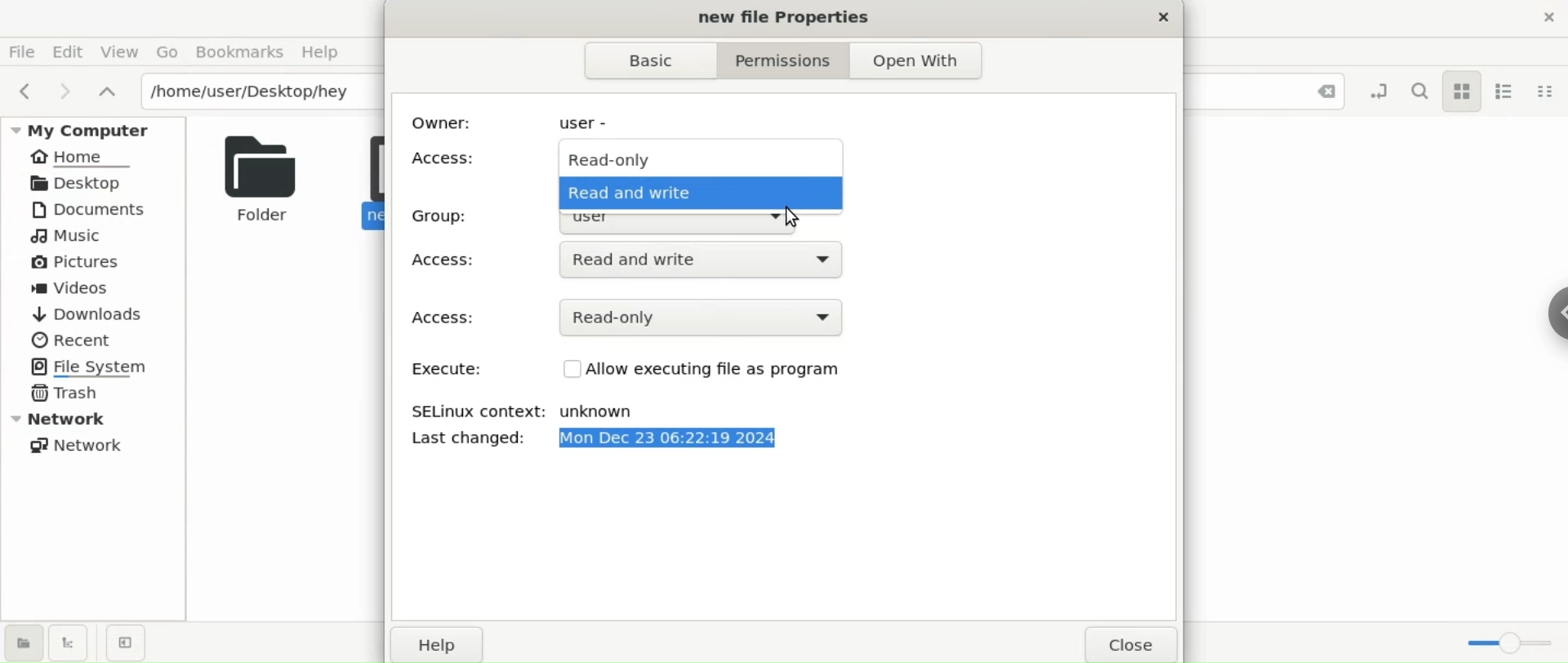 This screenshot has height=663, width=1568. What do you see at coordinates (1382, 90) in the screenshot?
I see `toggle location entry` at bounding box center [1382, 90].